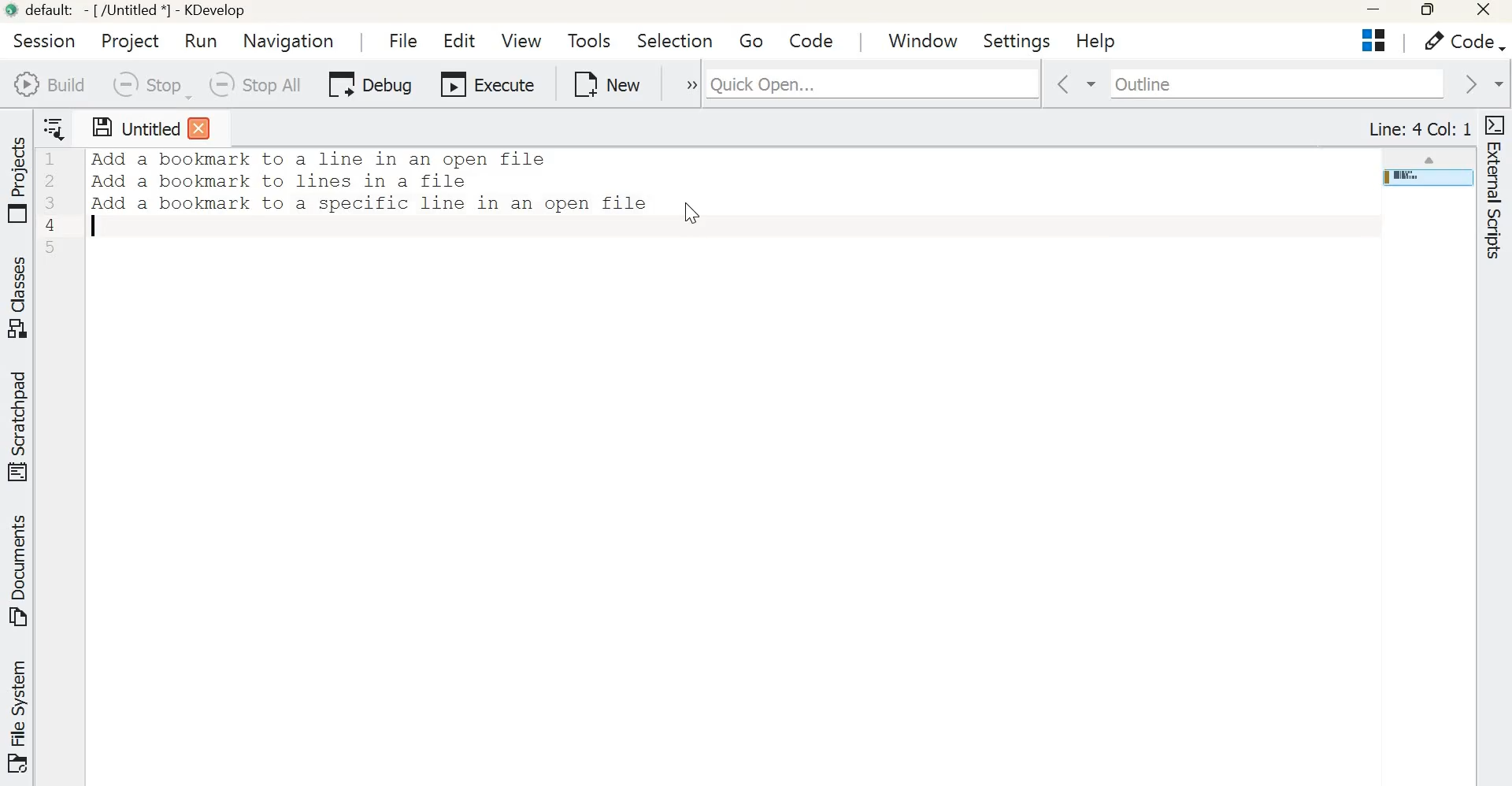 The height and width of the screenshot is (786, 1512). Describe the element at coordinates (289, 43) in the screenshot. I see `Navigation` at that location.